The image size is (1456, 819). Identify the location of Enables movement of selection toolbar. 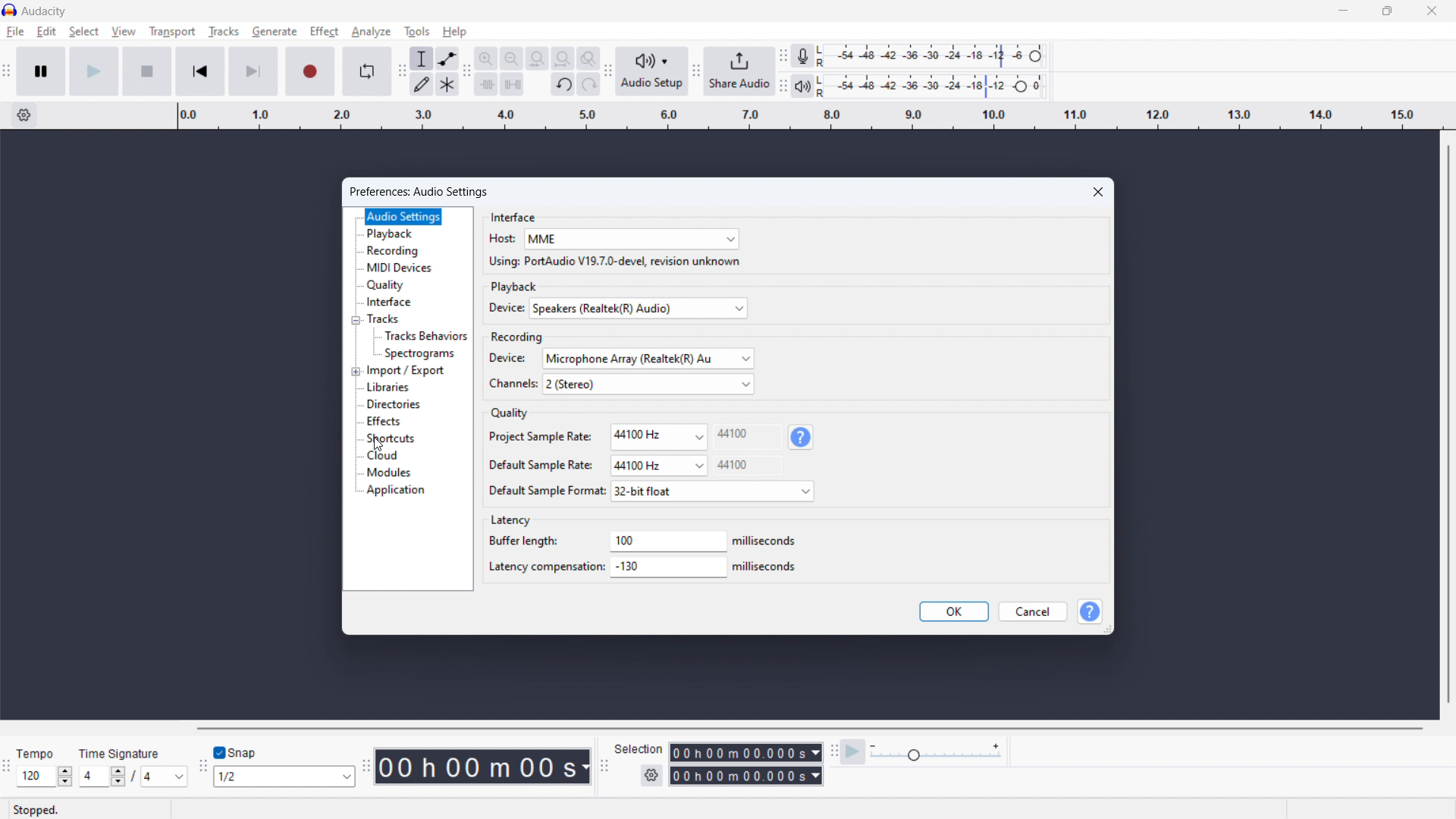
(604, 767).